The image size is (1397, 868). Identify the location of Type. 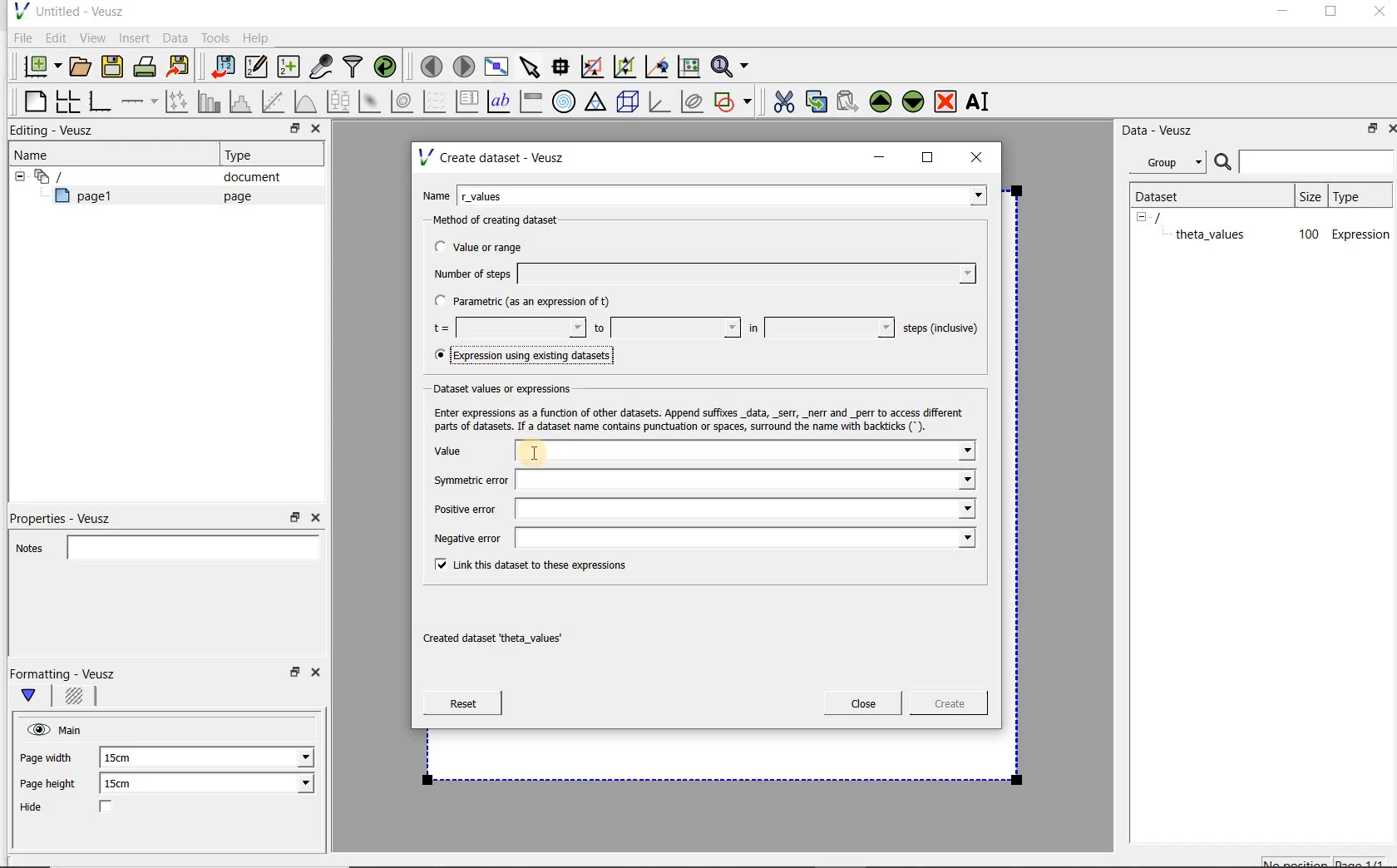
(245, 155).